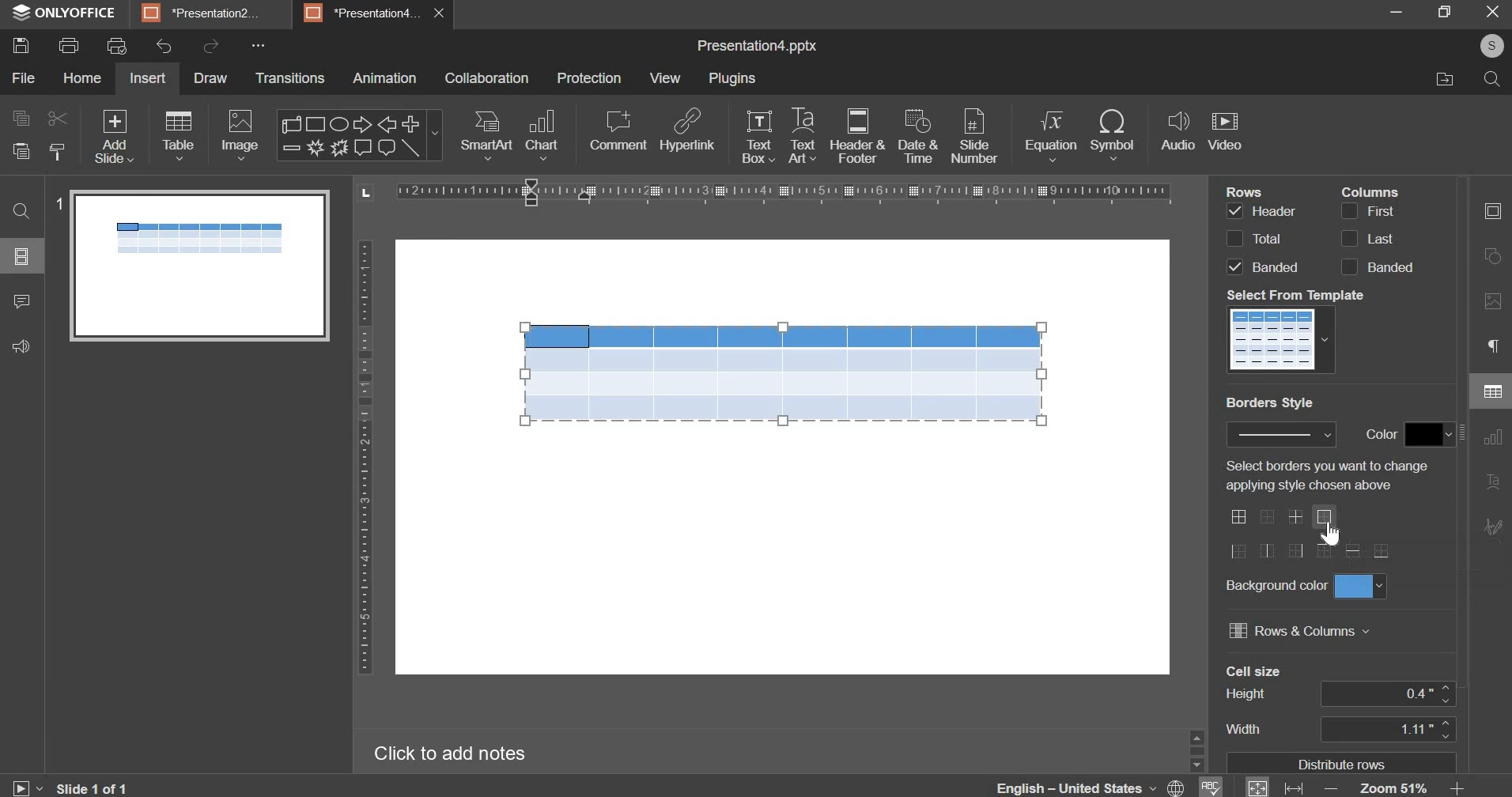  Describe the element at coordinates (1294, 514) in the screenshot. I see `add border` at that location.